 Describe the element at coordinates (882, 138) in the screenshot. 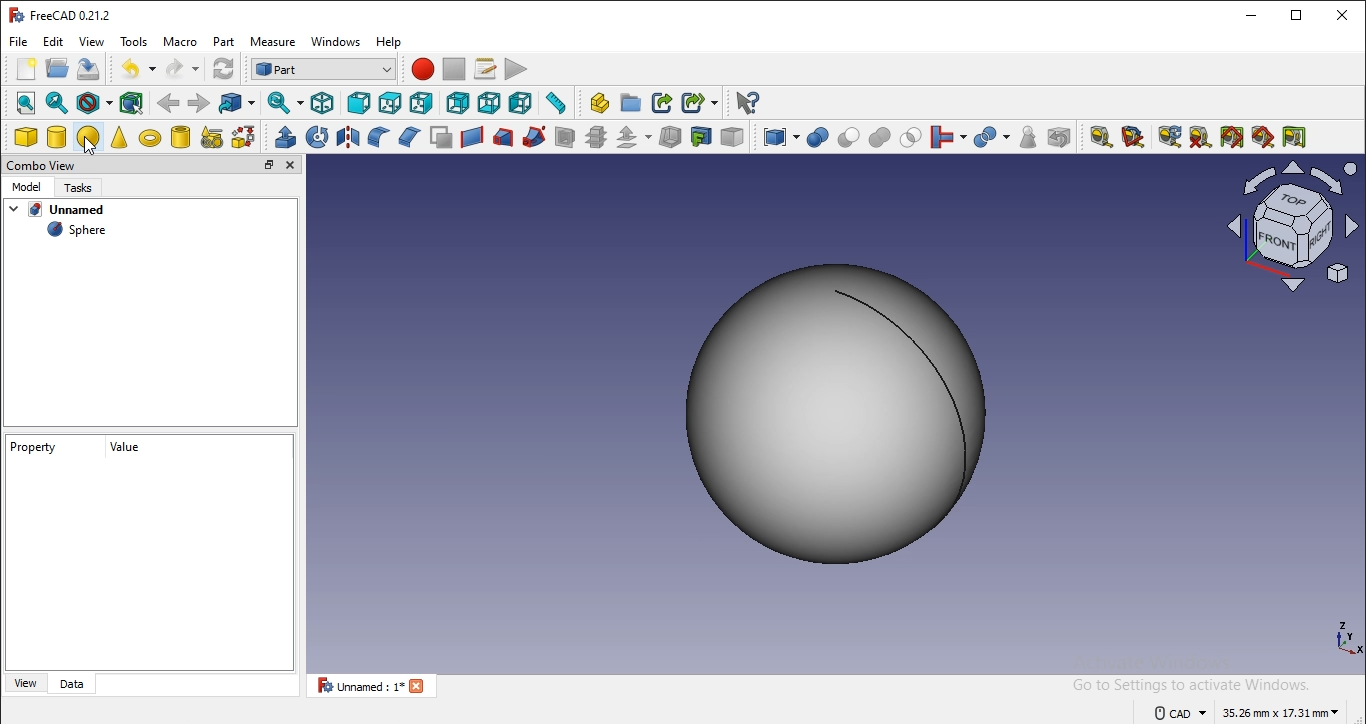

I see `union` at that location.